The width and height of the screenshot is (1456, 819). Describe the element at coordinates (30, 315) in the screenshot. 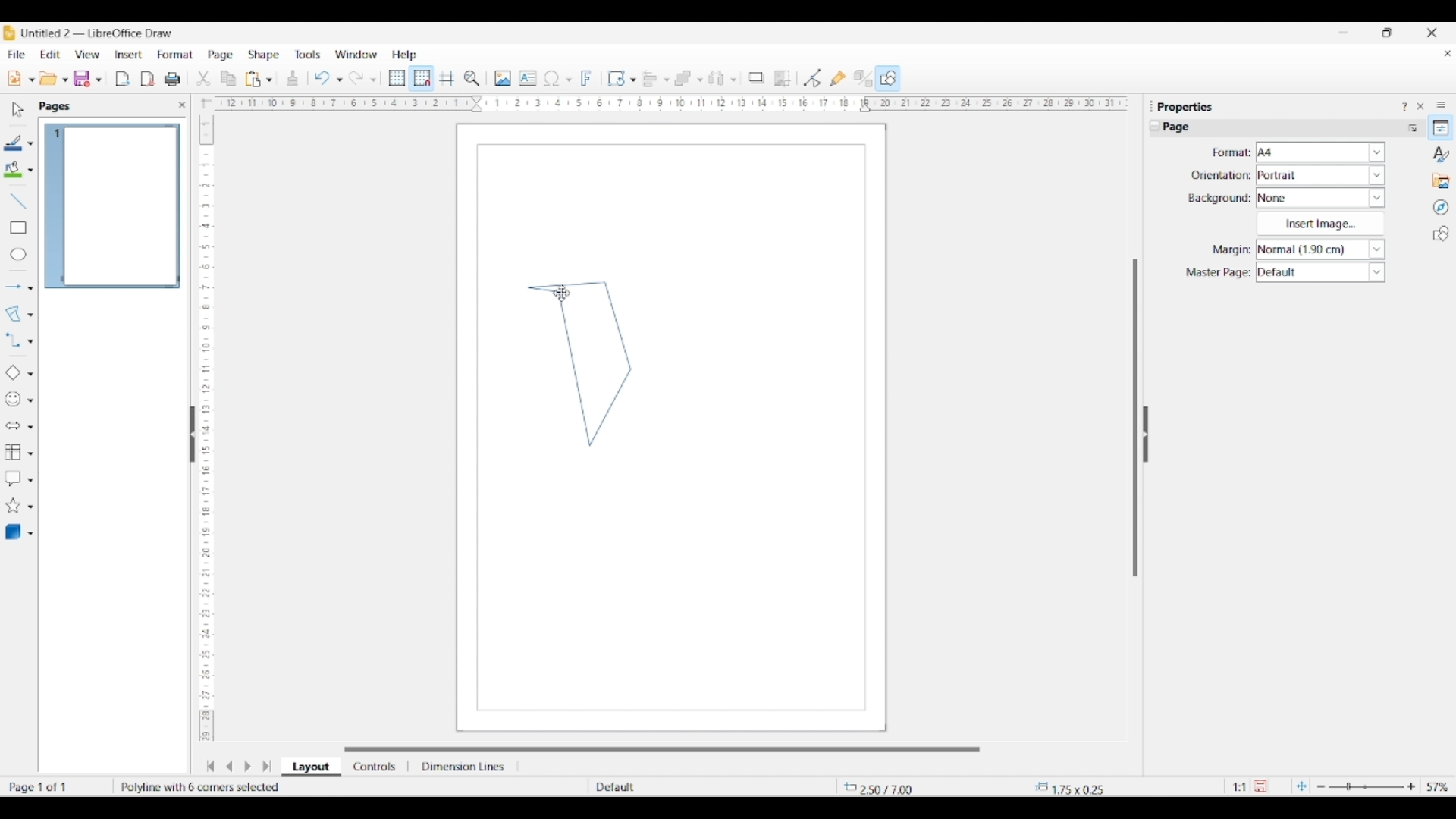

I see `Curve and polygon options` at that location.